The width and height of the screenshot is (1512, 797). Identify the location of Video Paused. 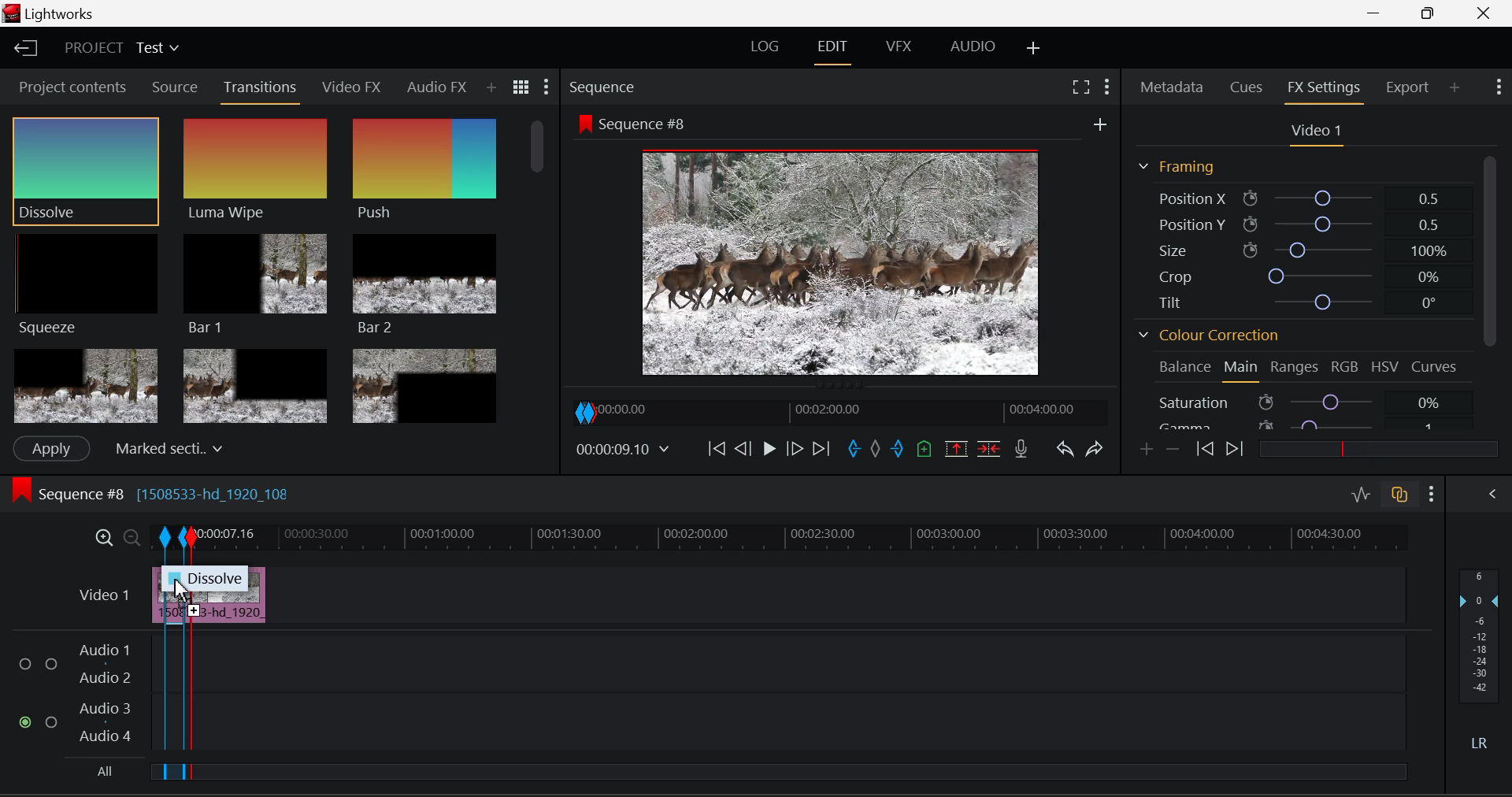
(767, 450).